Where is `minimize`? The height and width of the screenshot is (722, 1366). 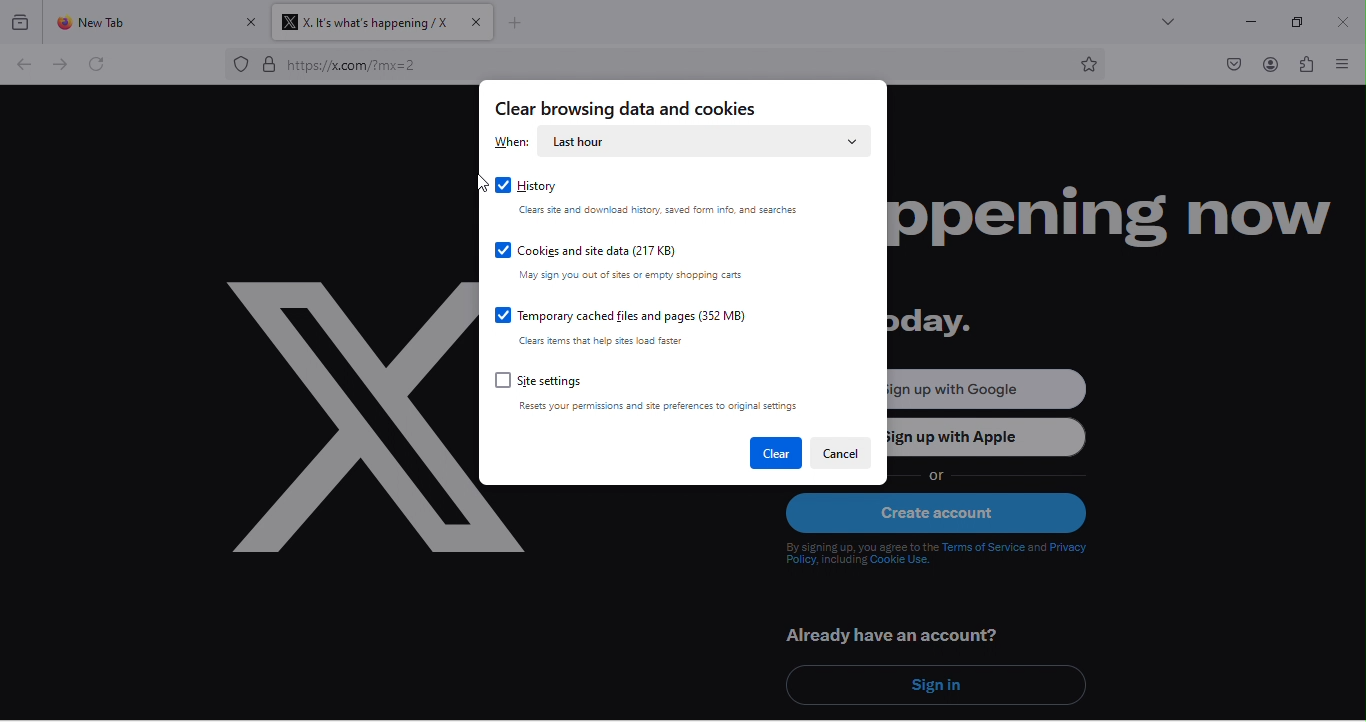
minimize is located at coordinates (1248, 21).